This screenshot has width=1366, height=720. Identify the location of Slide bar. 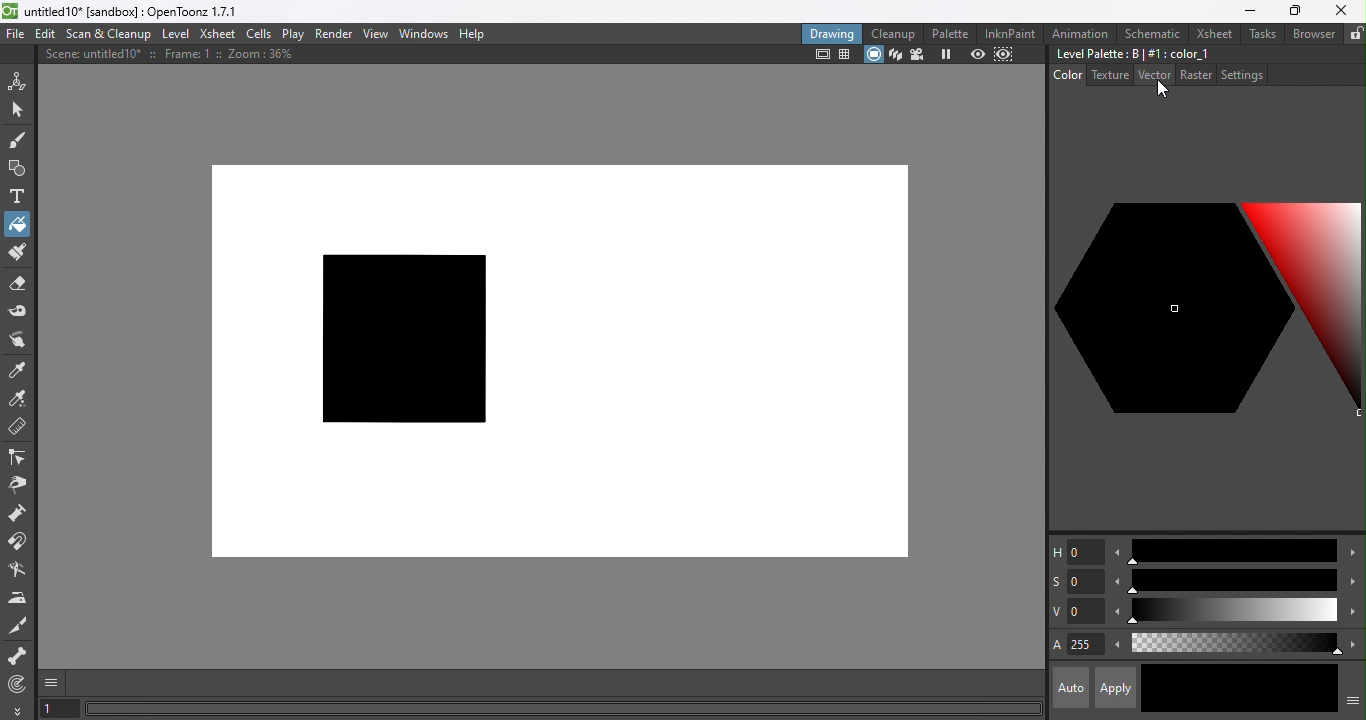
(1232, 612).